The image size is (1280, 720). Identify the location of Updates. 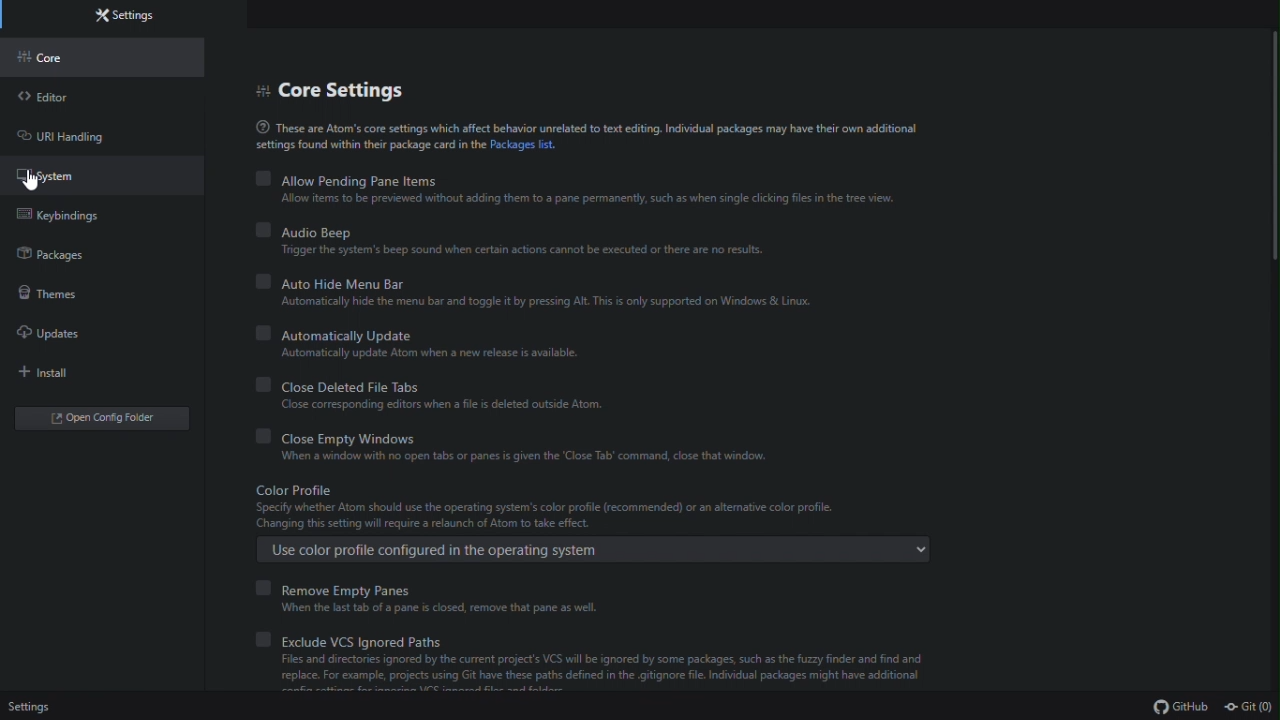
(67, 337).